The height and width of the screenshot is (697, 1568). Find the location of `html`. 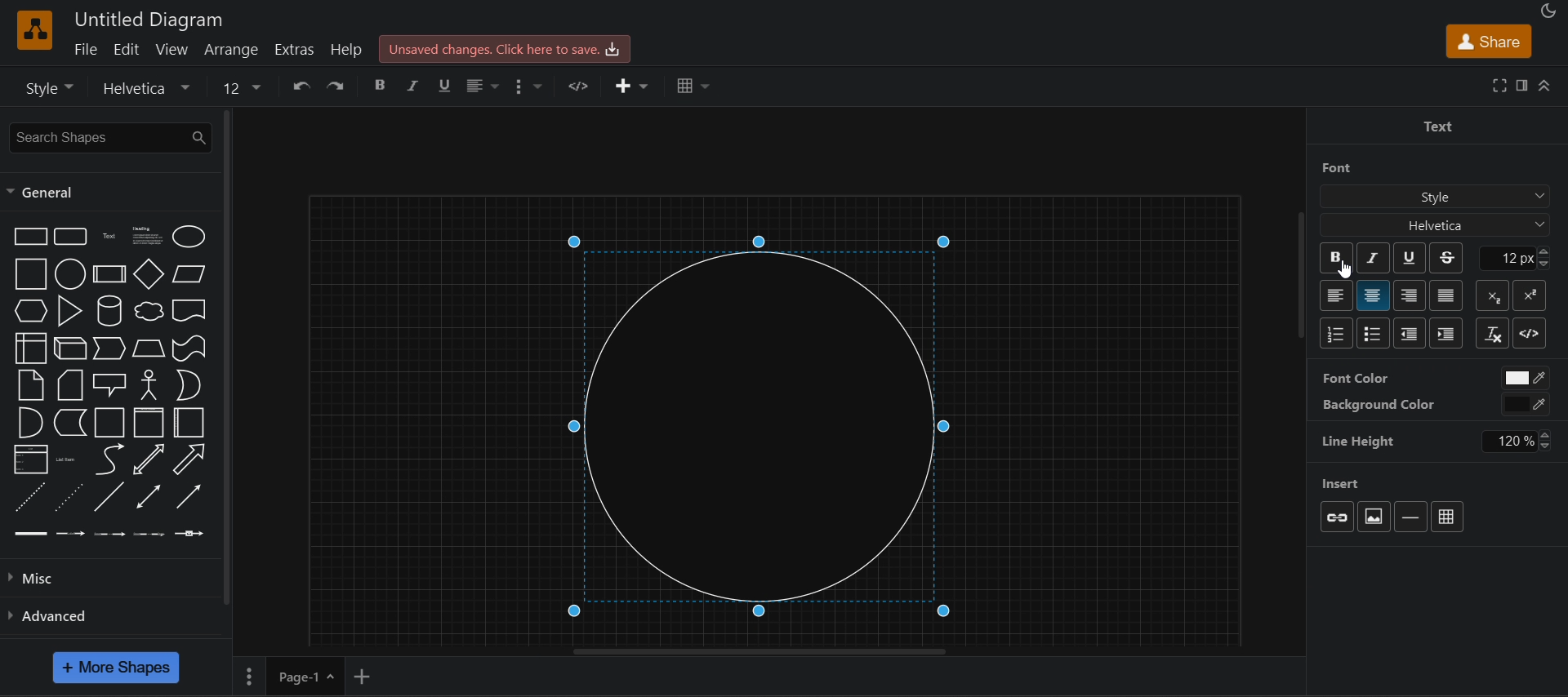

html is located at coordinates (1530, 333).